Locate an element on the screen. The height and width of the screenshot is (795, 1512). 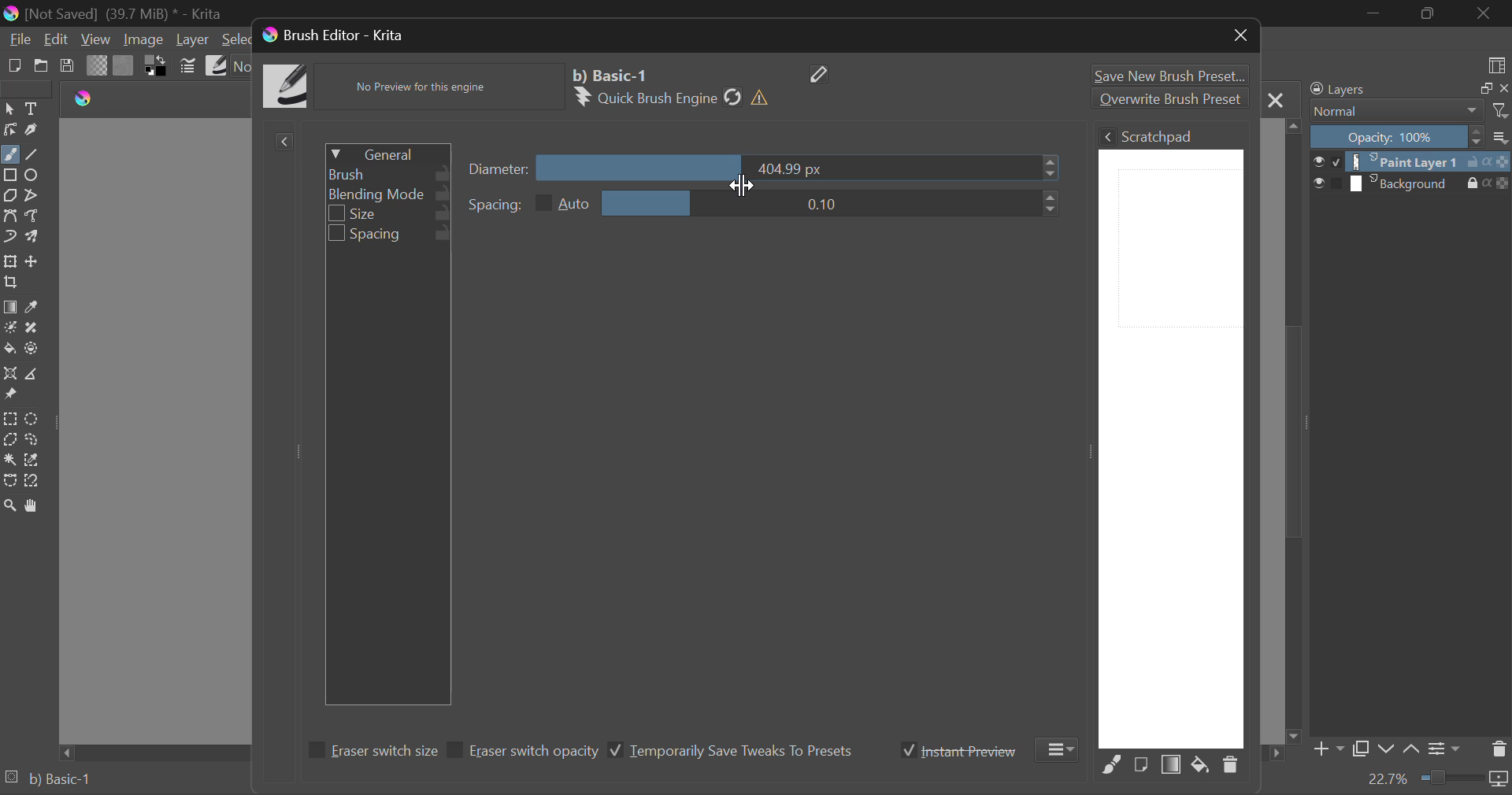
Select is located at coordinates (9, 109).